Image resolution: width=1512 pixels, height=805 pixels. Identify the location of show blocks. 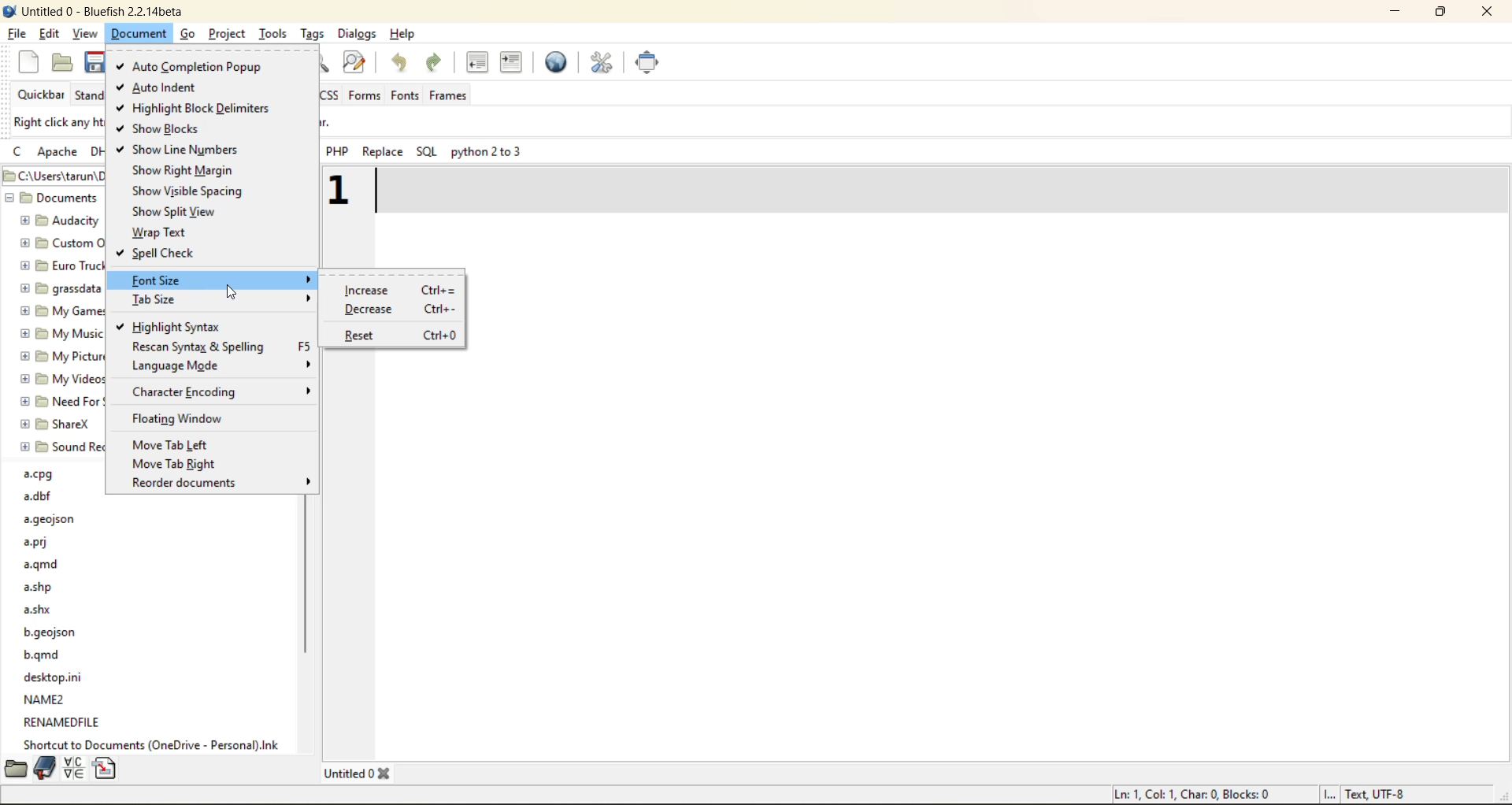
(170, 130).